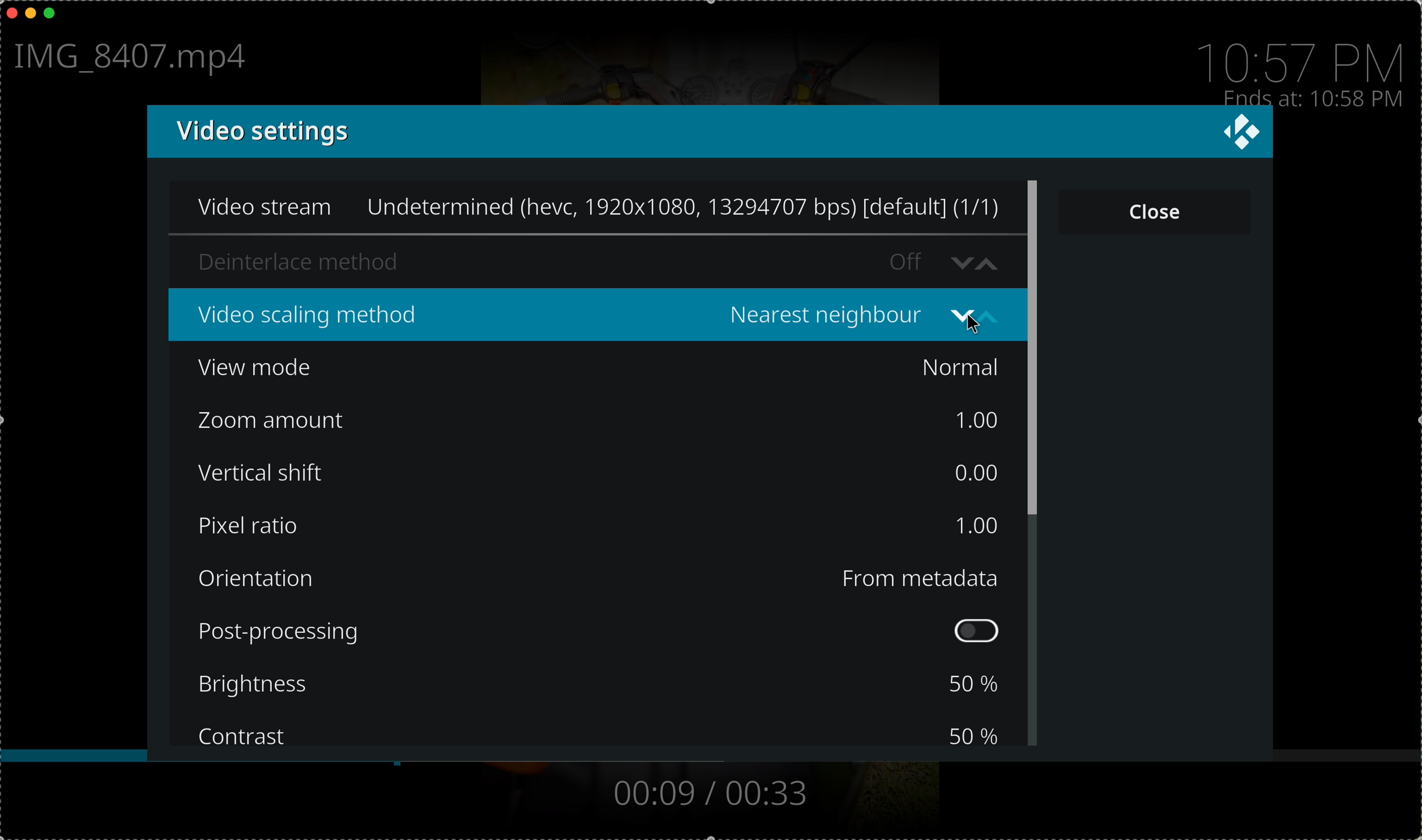 This screenshot has width=1422, height=840. Describe the element at coordinates (1035, 461) in the screenshot. I see `scroll bar` at that location.